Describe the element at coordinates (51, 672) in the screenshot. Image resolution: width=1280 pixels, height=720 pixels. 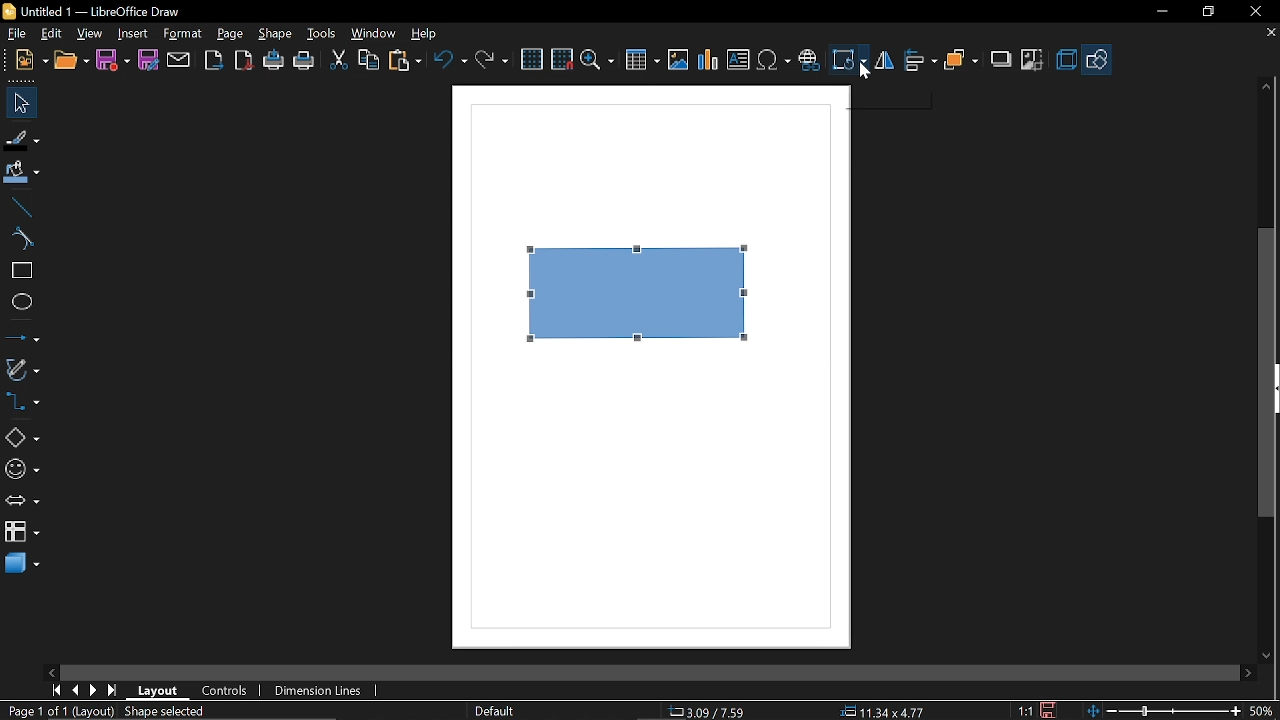
I see `Move left` at that location.